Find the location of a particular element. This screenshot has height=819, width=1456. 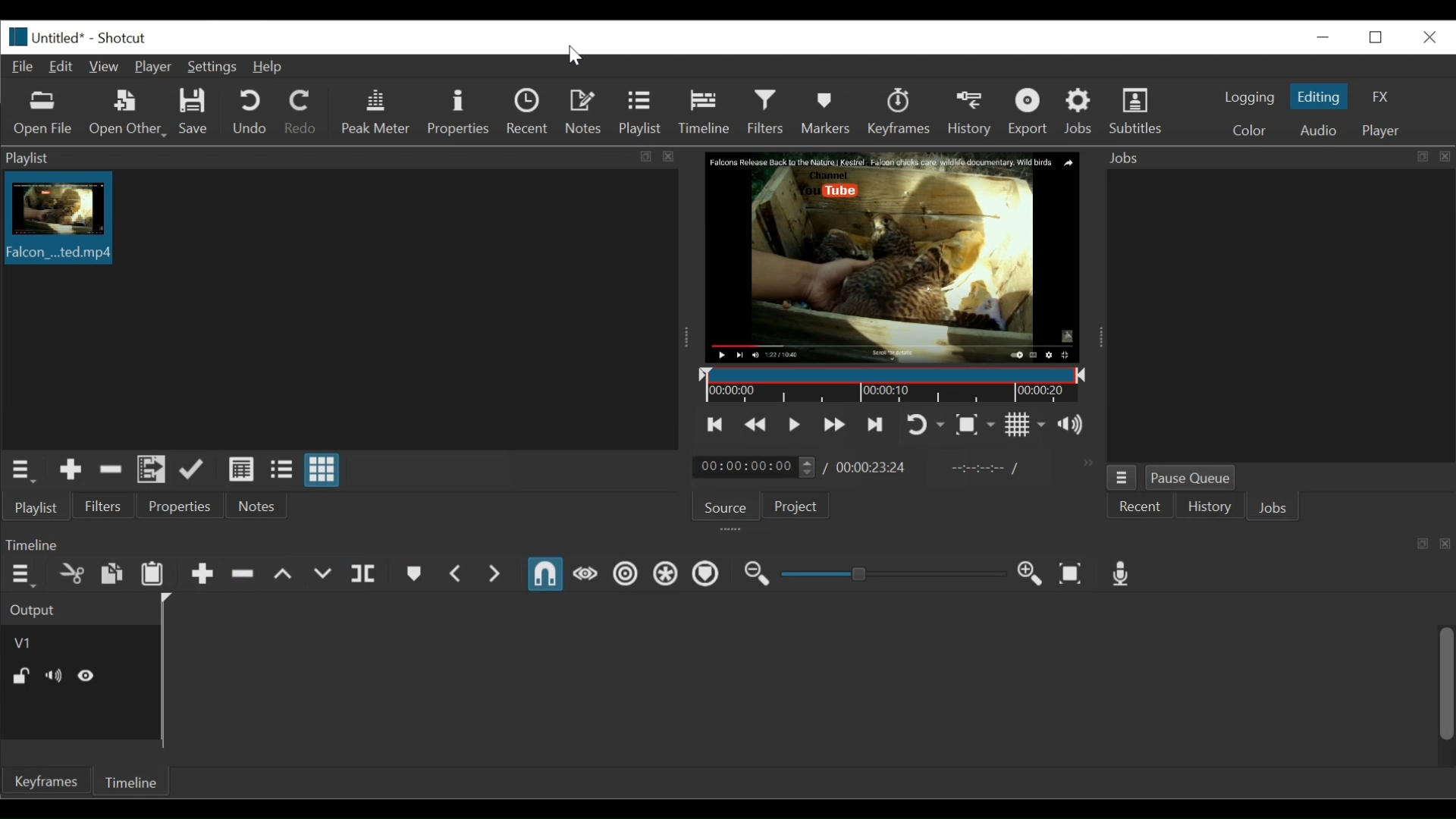

Project is located at coordinates (793, 507).